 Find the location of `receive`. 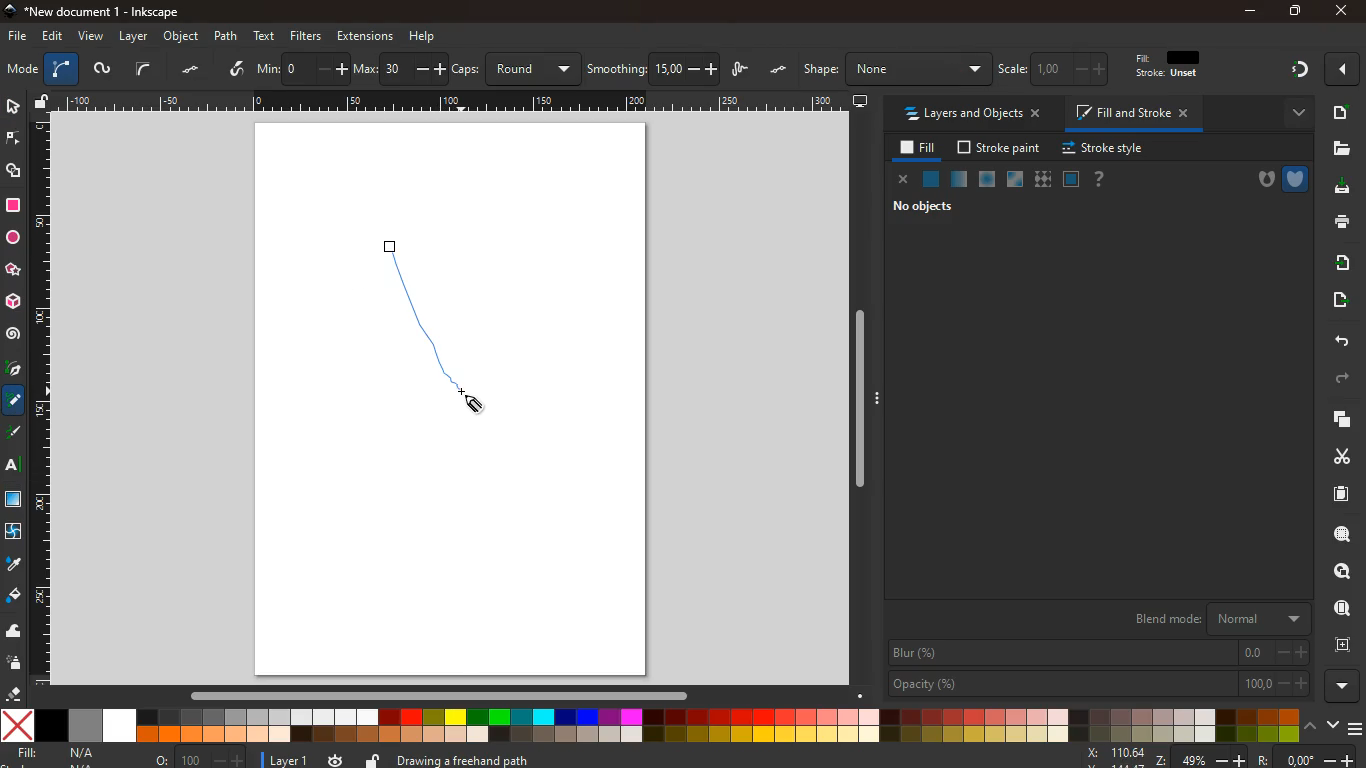

receive is located at coordinates (1341, 261).